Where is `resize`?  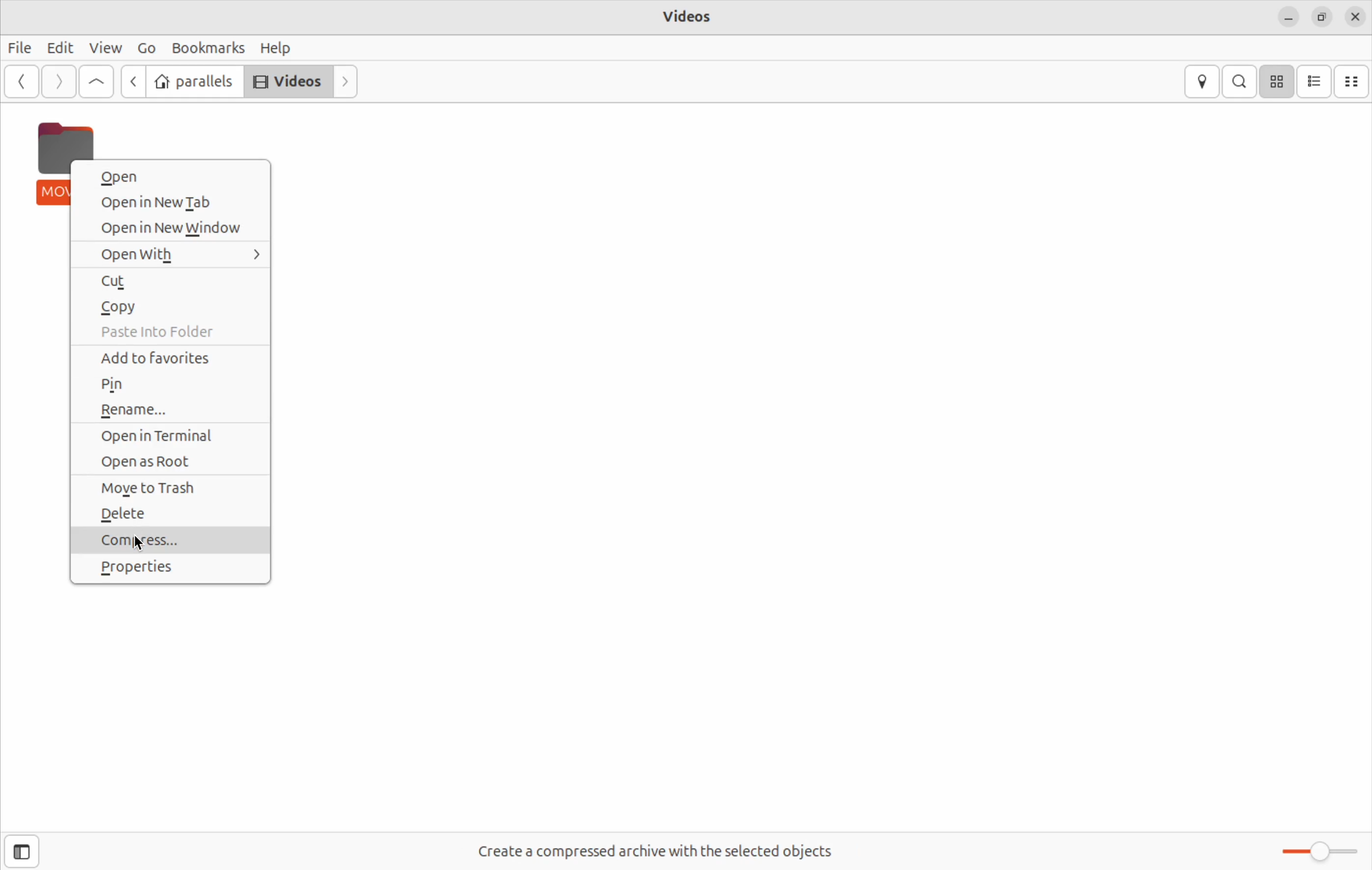
resize is located at coordinates (1321, 16).